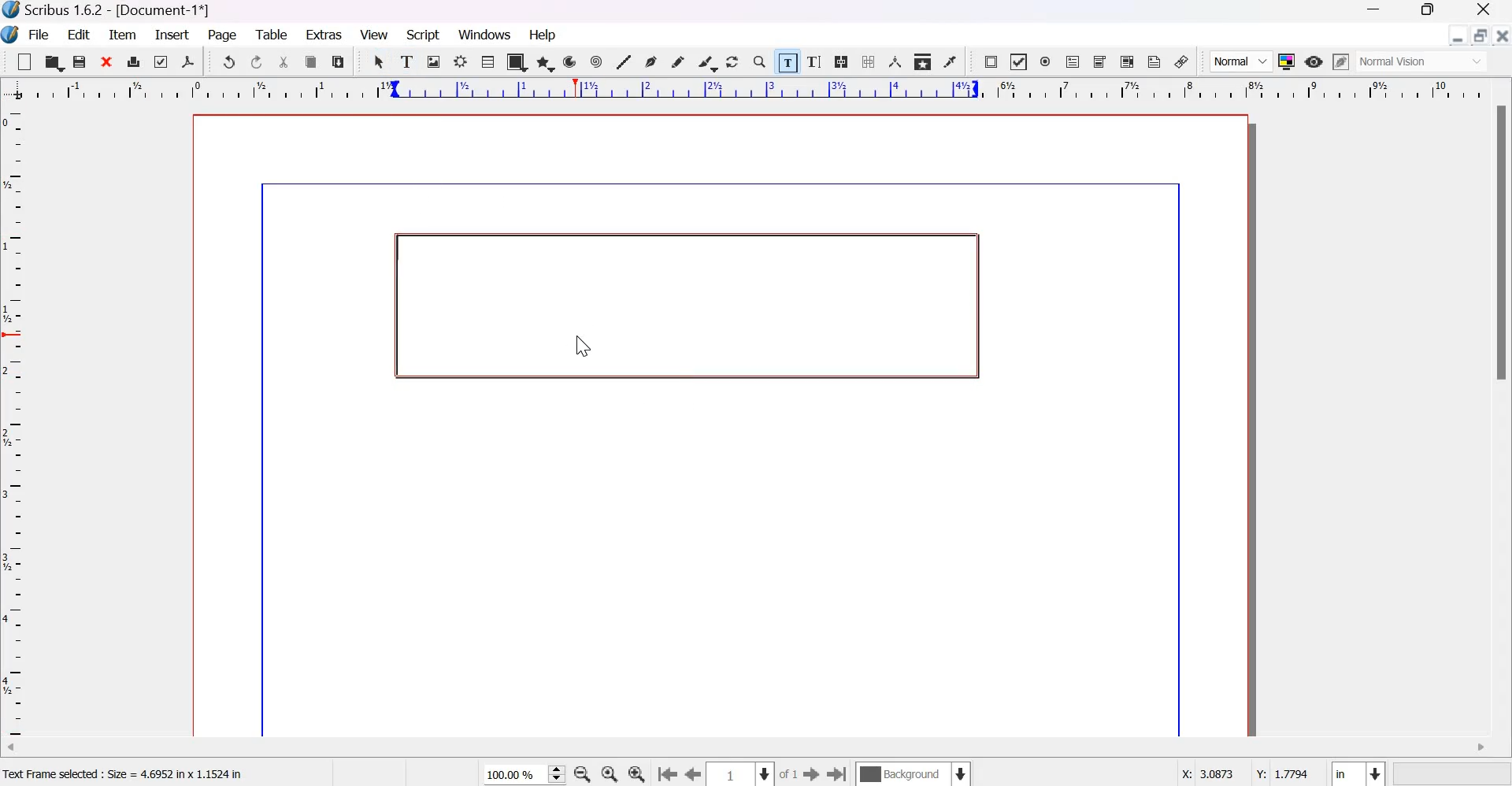 This screenshot has width=1512, height=786. I want to click on zoom out, so click(582, 774).